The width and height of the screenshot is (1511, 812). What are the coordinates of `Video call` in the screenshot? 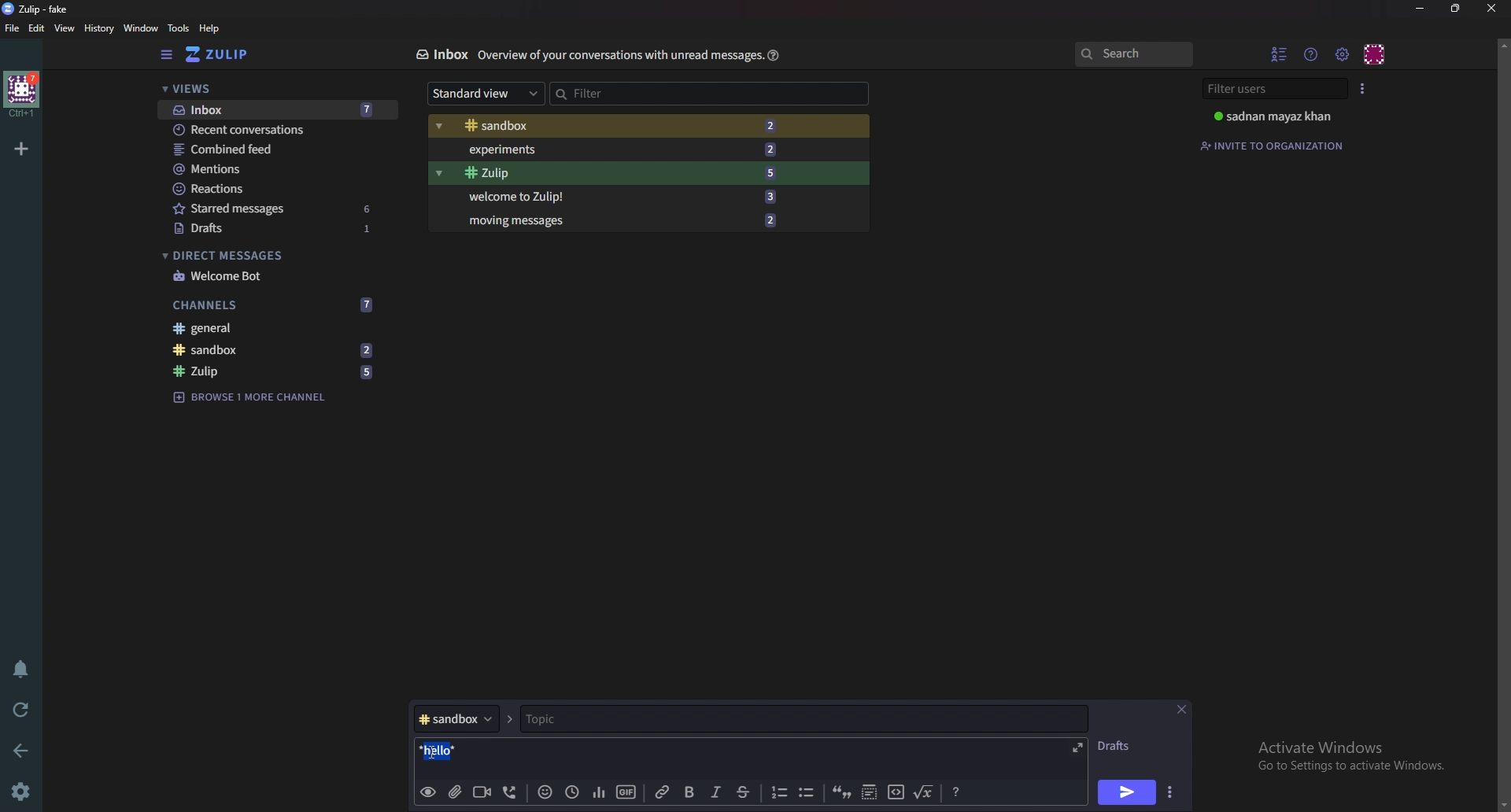 It's located at (484, 792).